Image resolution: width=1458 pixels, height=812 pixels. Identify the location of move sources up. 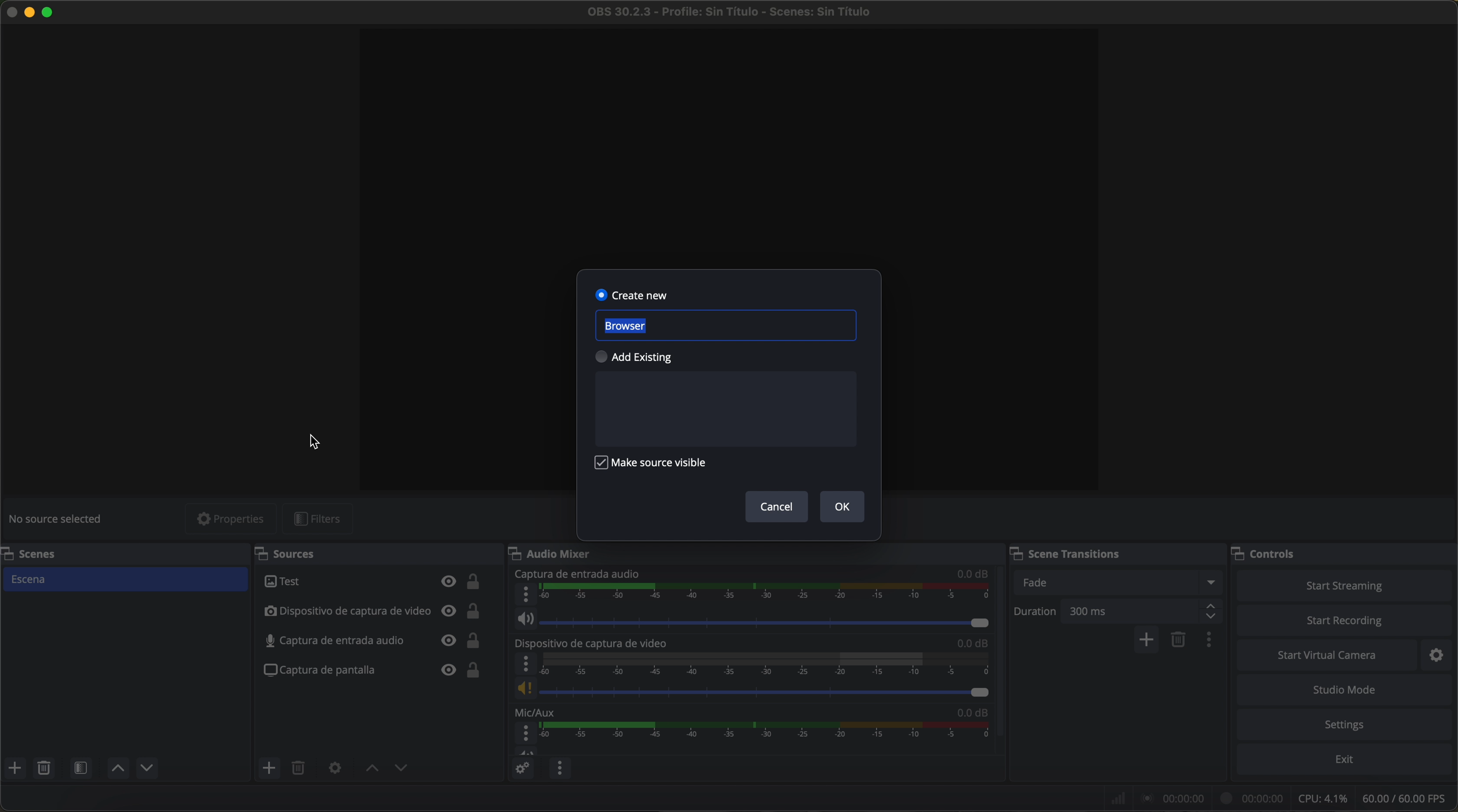
(369, 768).